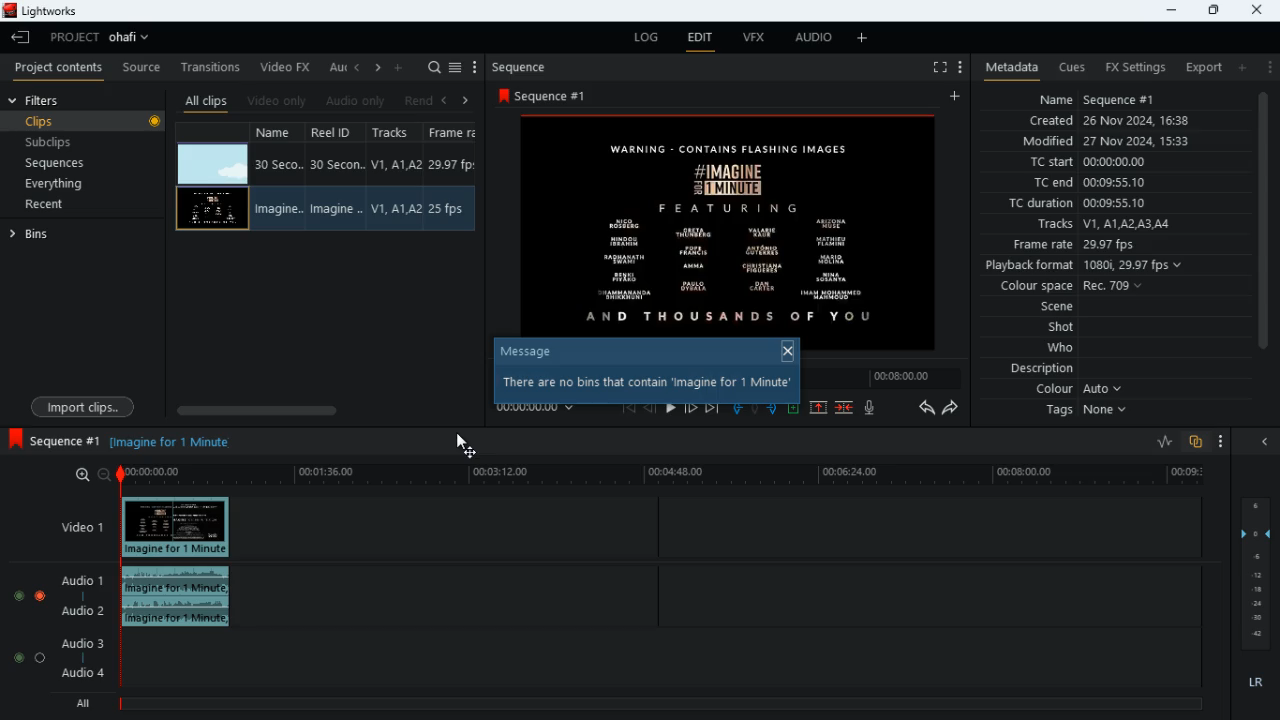  I want to click on tags, so click(1083, 416).